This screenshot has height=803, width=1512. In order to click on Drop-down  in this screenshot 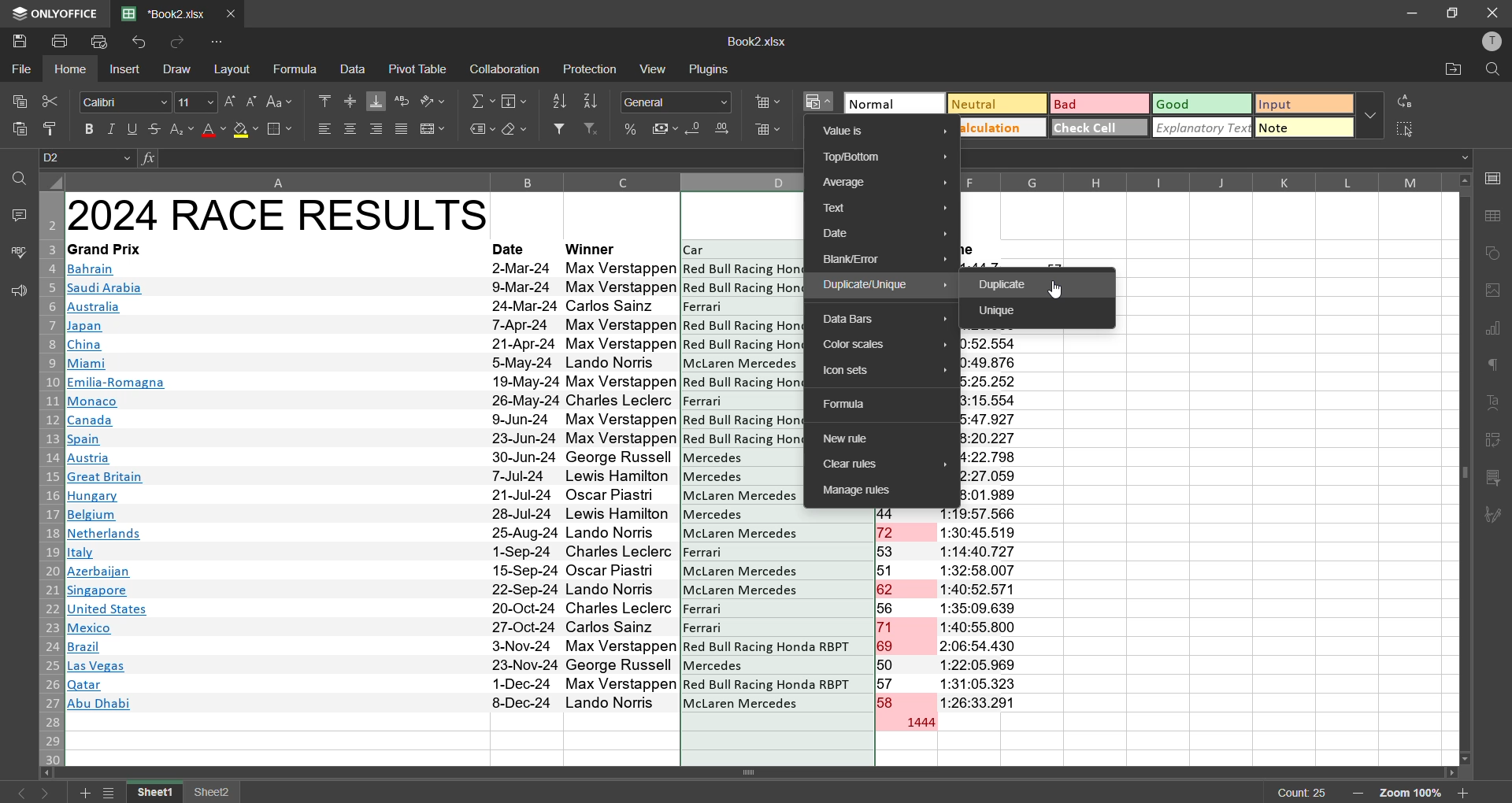, I will do `click(1467, 158)`.